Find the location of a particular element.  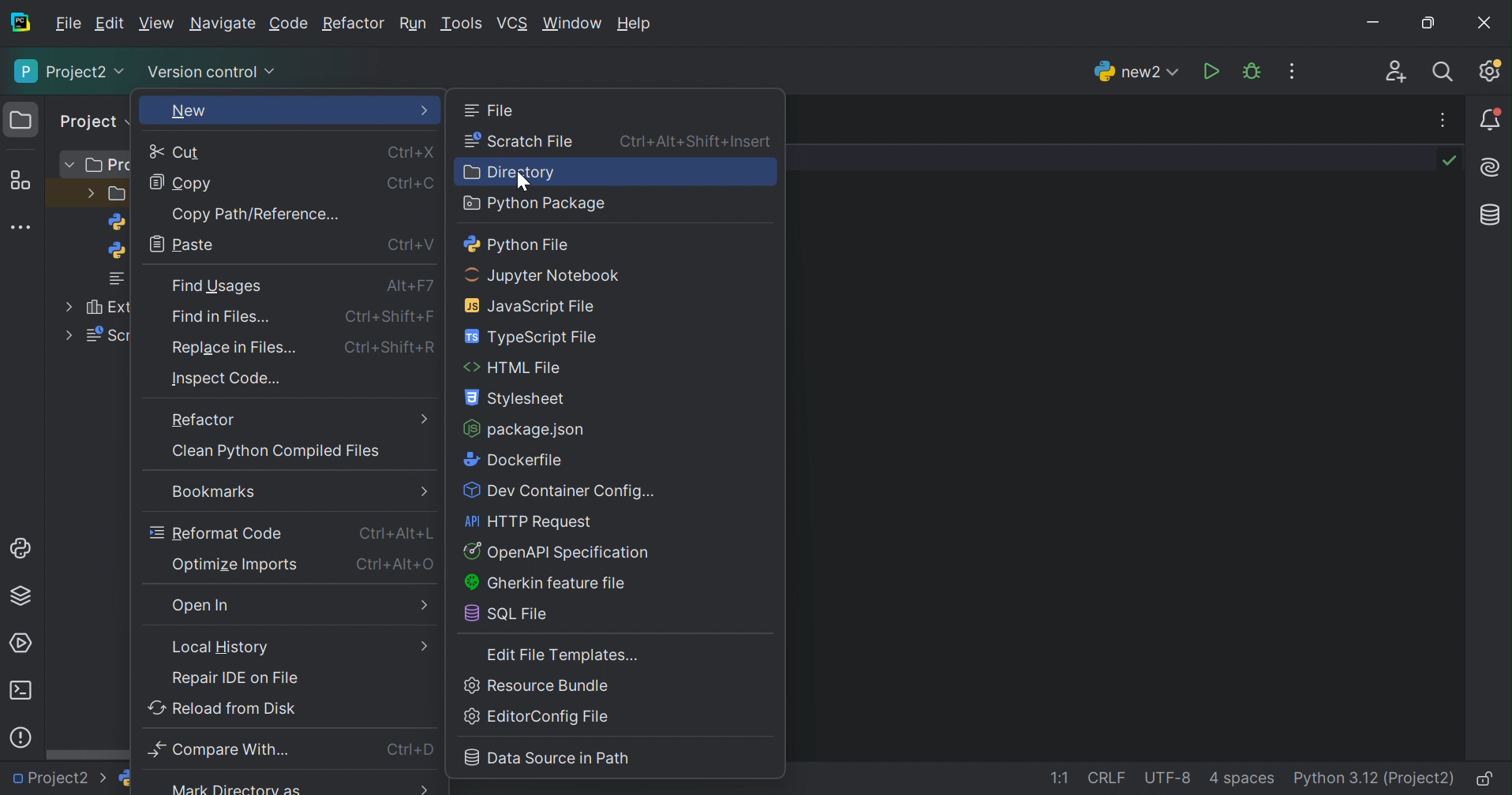

New is located at coordinates (186, 113).